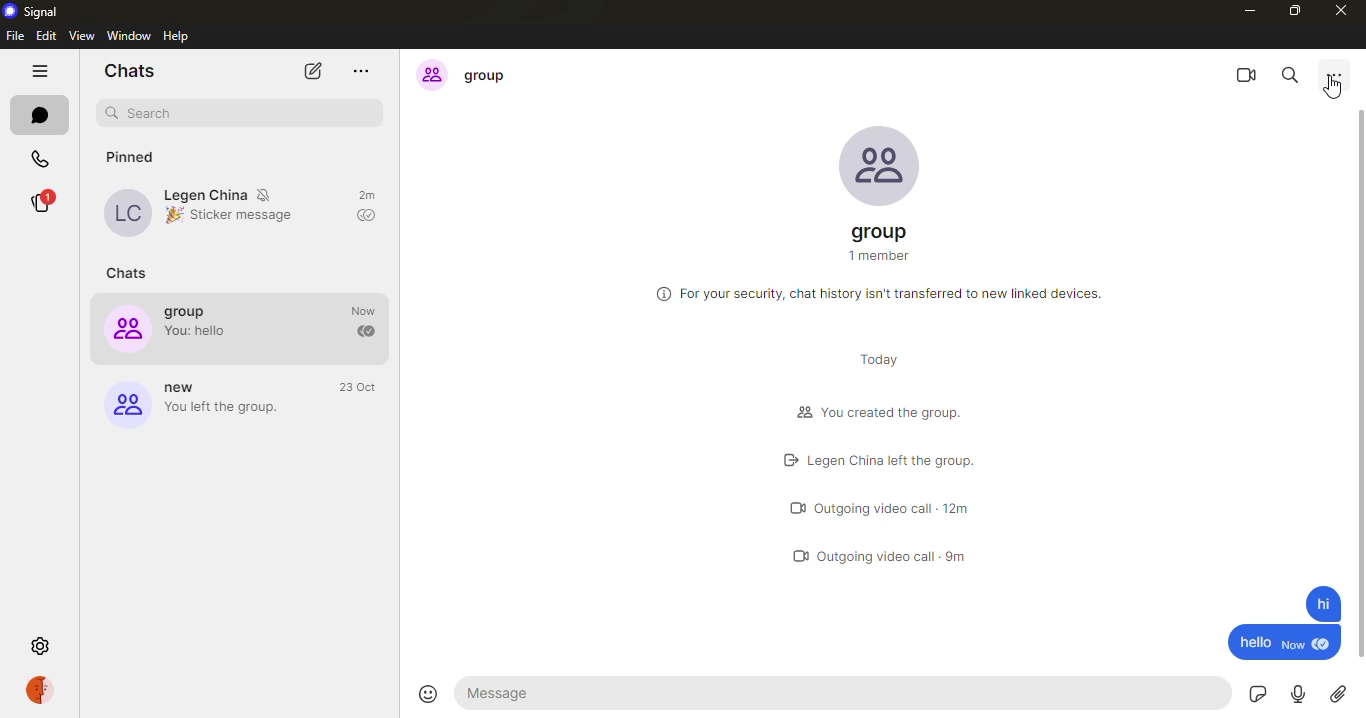  Describe the element at coordinates (188, 312) in the screenshot. I see `group` at that location.